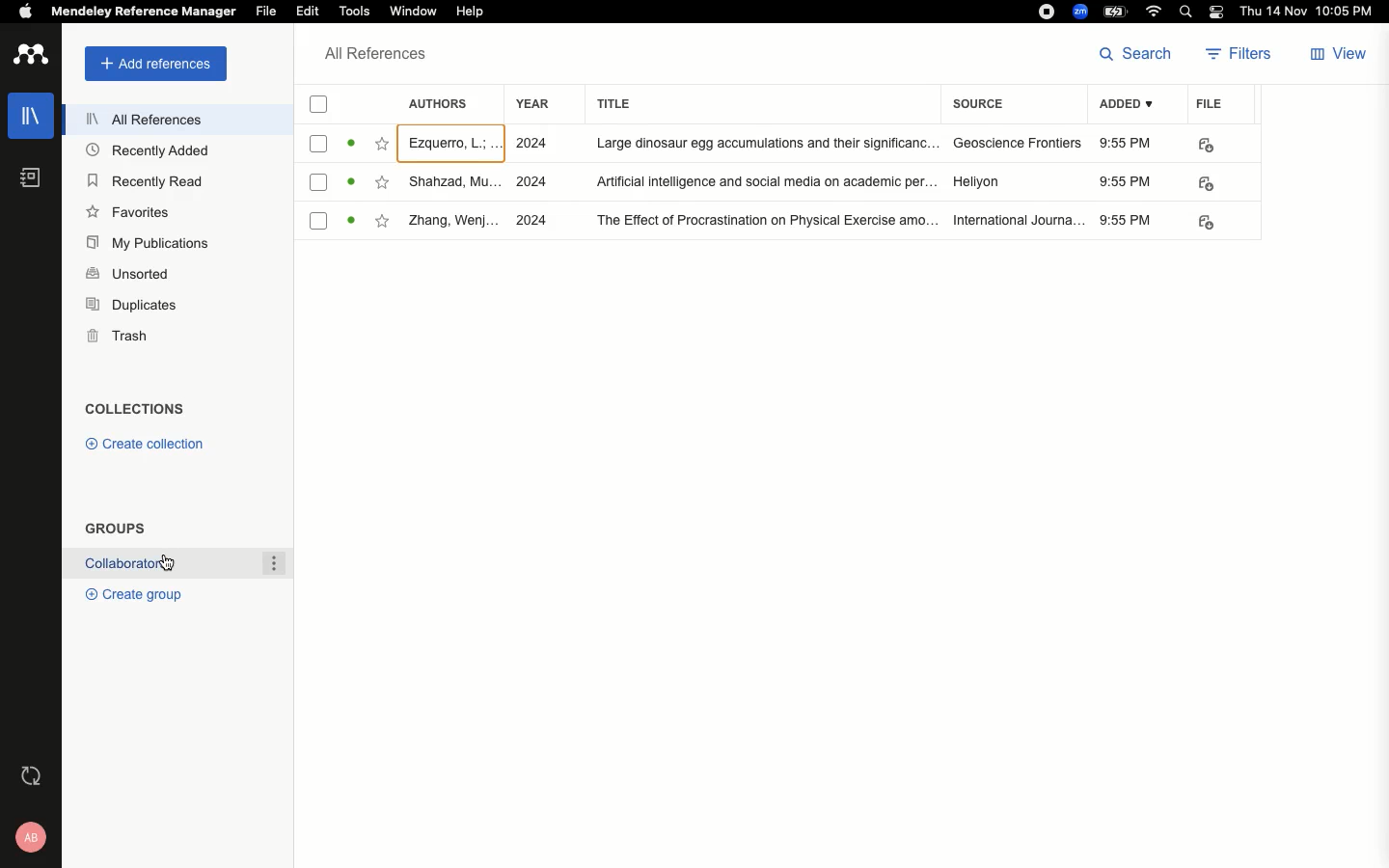 The width and height of the screenshot is (1389, 868). What do you see at coordinates (1311, 12) in the screenshot?
I see `Date/time` at bounding box center [1311, 12].